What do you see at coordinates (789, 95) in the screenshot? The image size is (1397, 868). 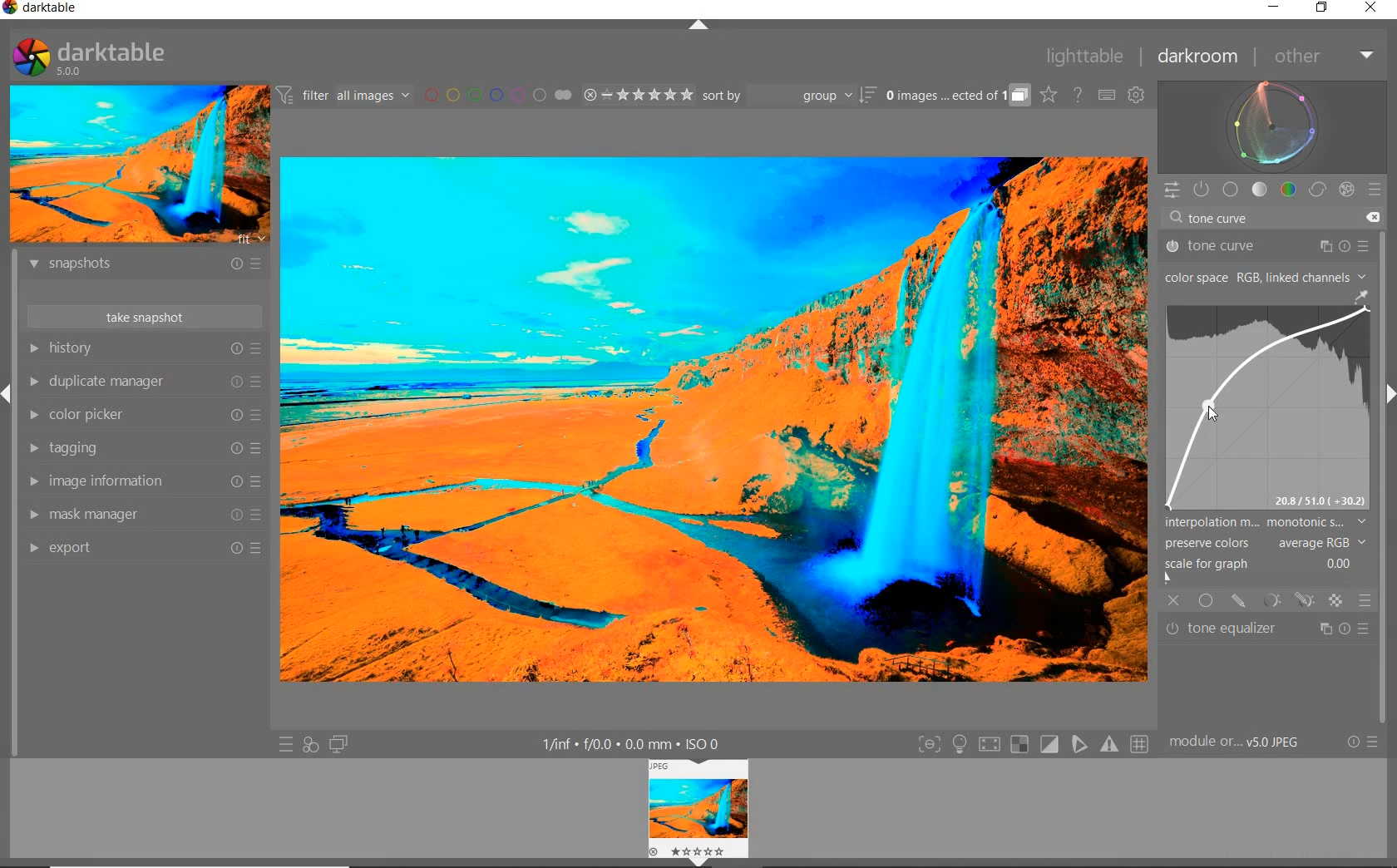 I see `sort by` at bounding box center [789, 95].